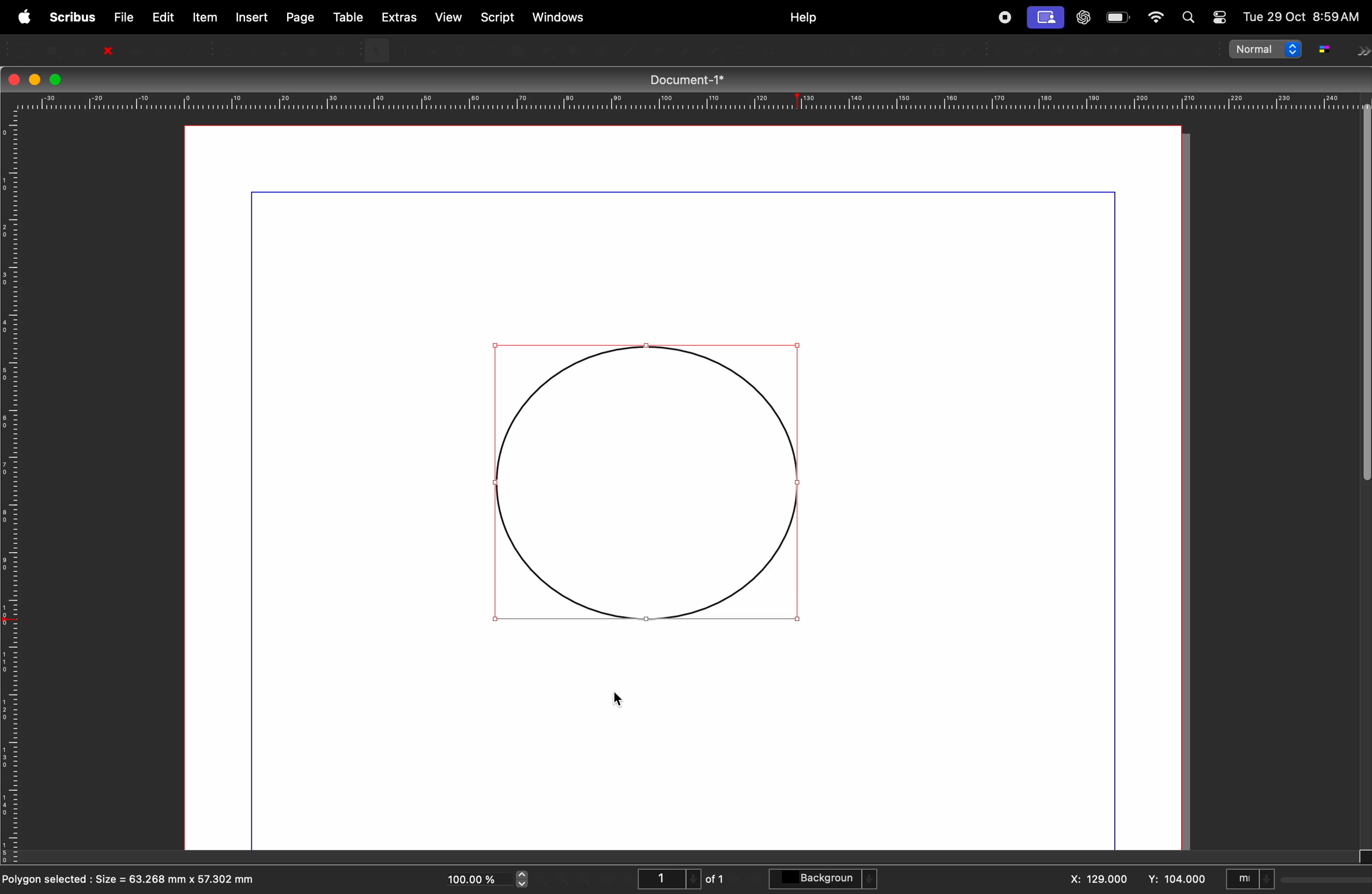 This screenshot has width=1372, height=894. Describe the element at coordinates (1083, 16) in the screenshot. I see `chatgpt` at that location.